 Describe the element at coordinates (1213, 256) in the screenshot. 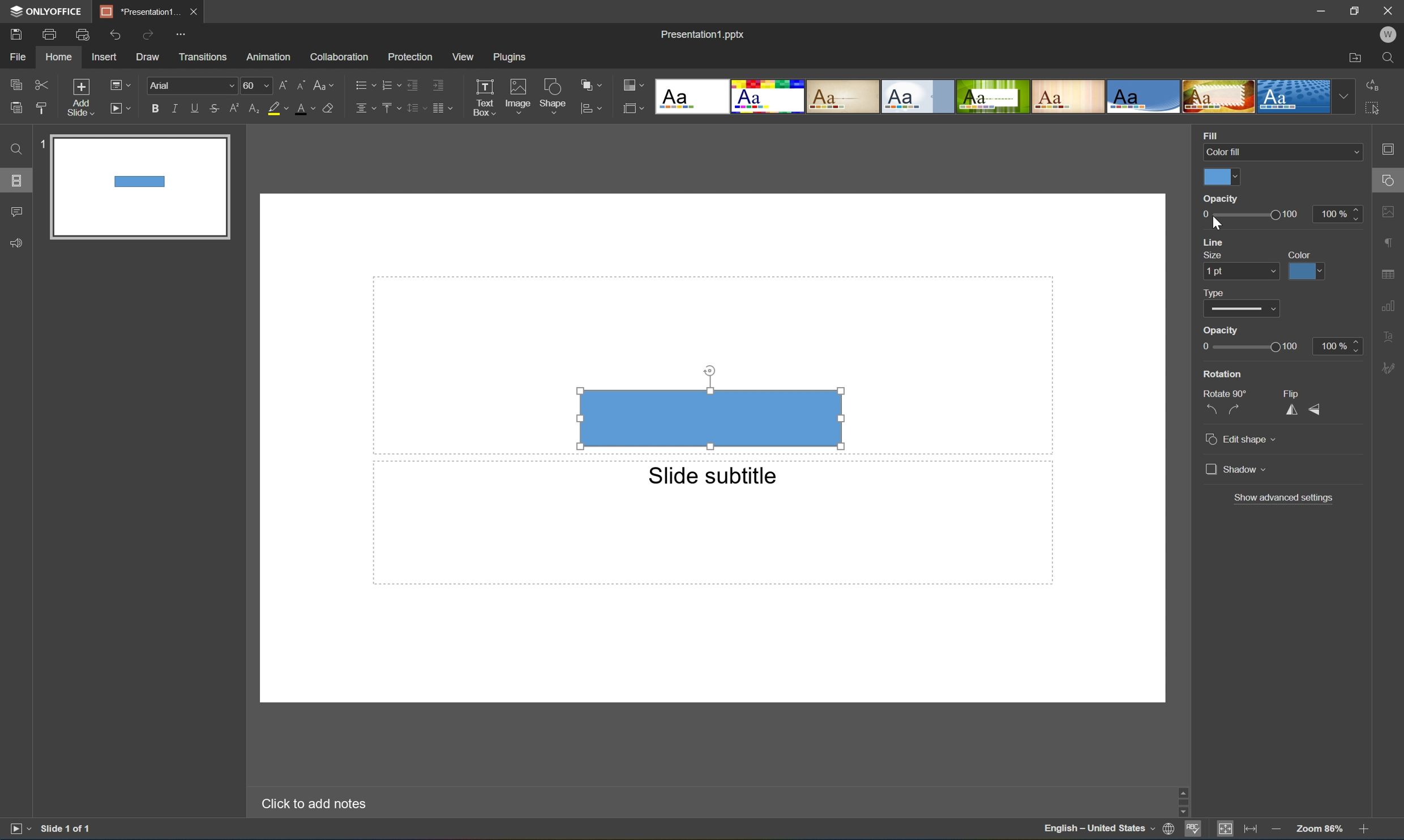

I see `Size` at that location.